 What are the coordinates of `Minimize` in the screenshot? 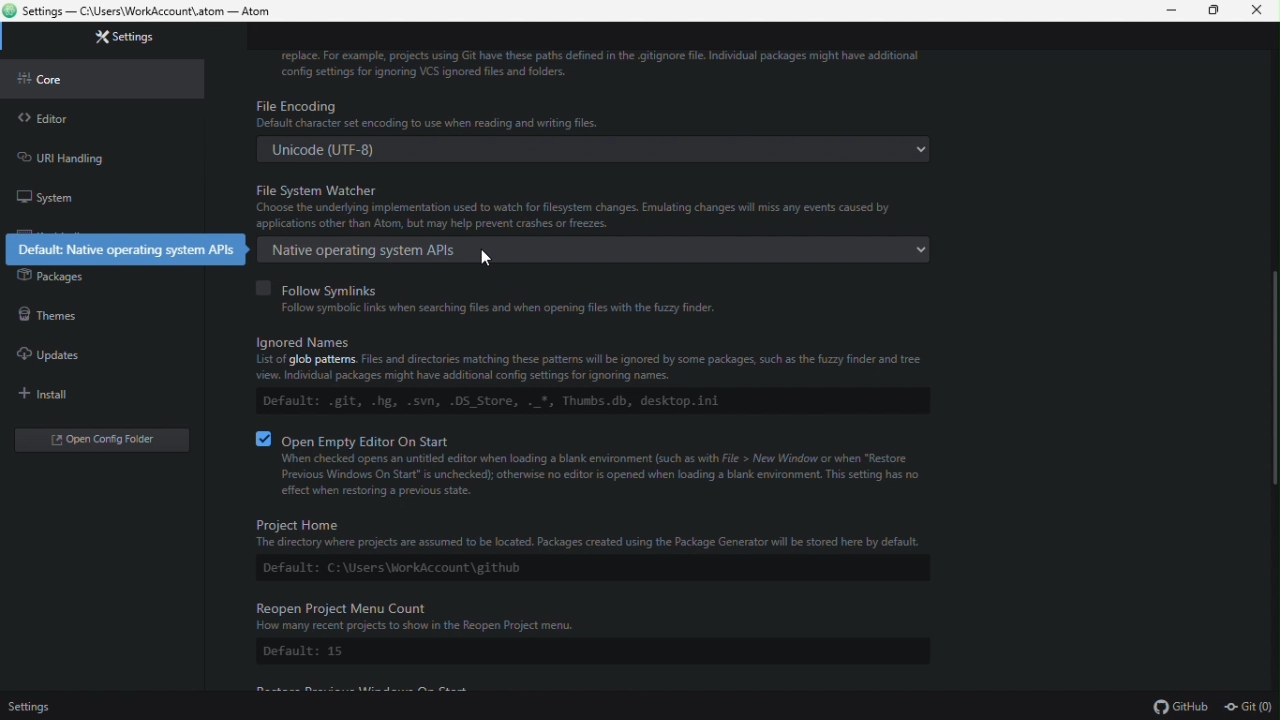 It's located at (1172, 10).